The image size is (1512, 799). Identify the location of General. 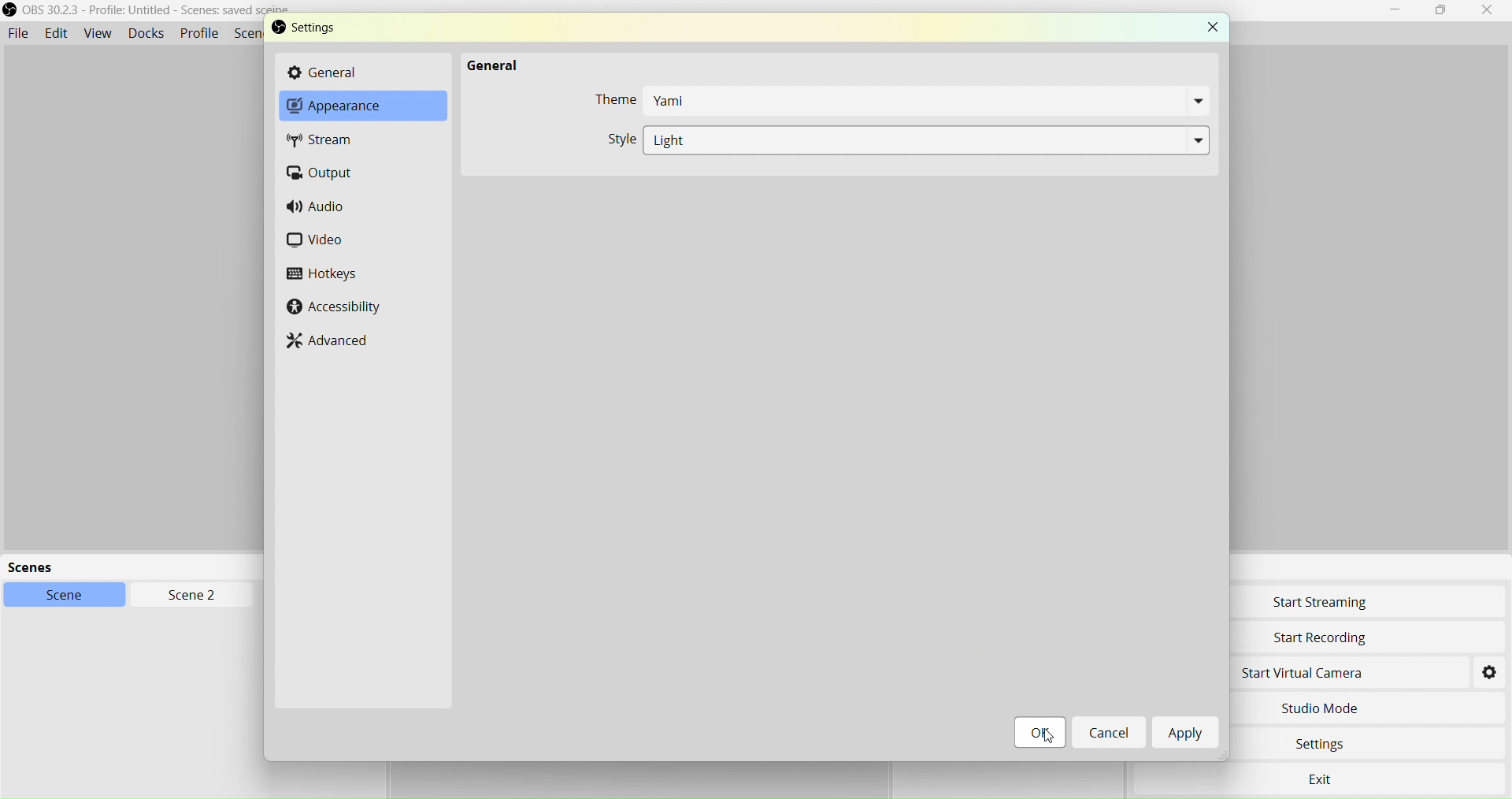
(488, 62).